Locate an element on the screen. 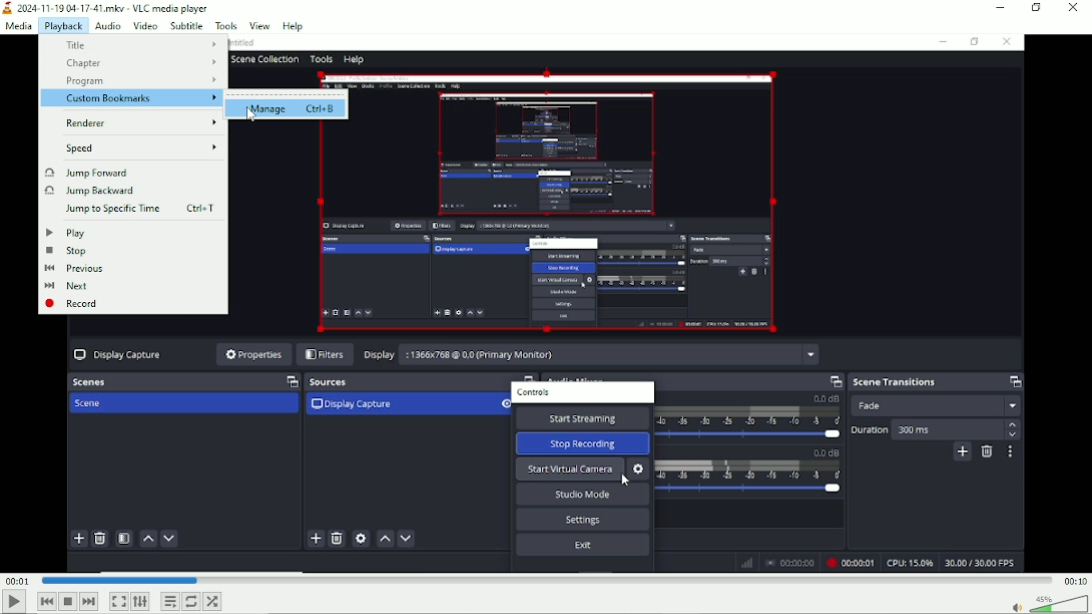 Image resolution: width=1092 pixels, height=614 pixels. Playback is located at coordinates (64, 26).